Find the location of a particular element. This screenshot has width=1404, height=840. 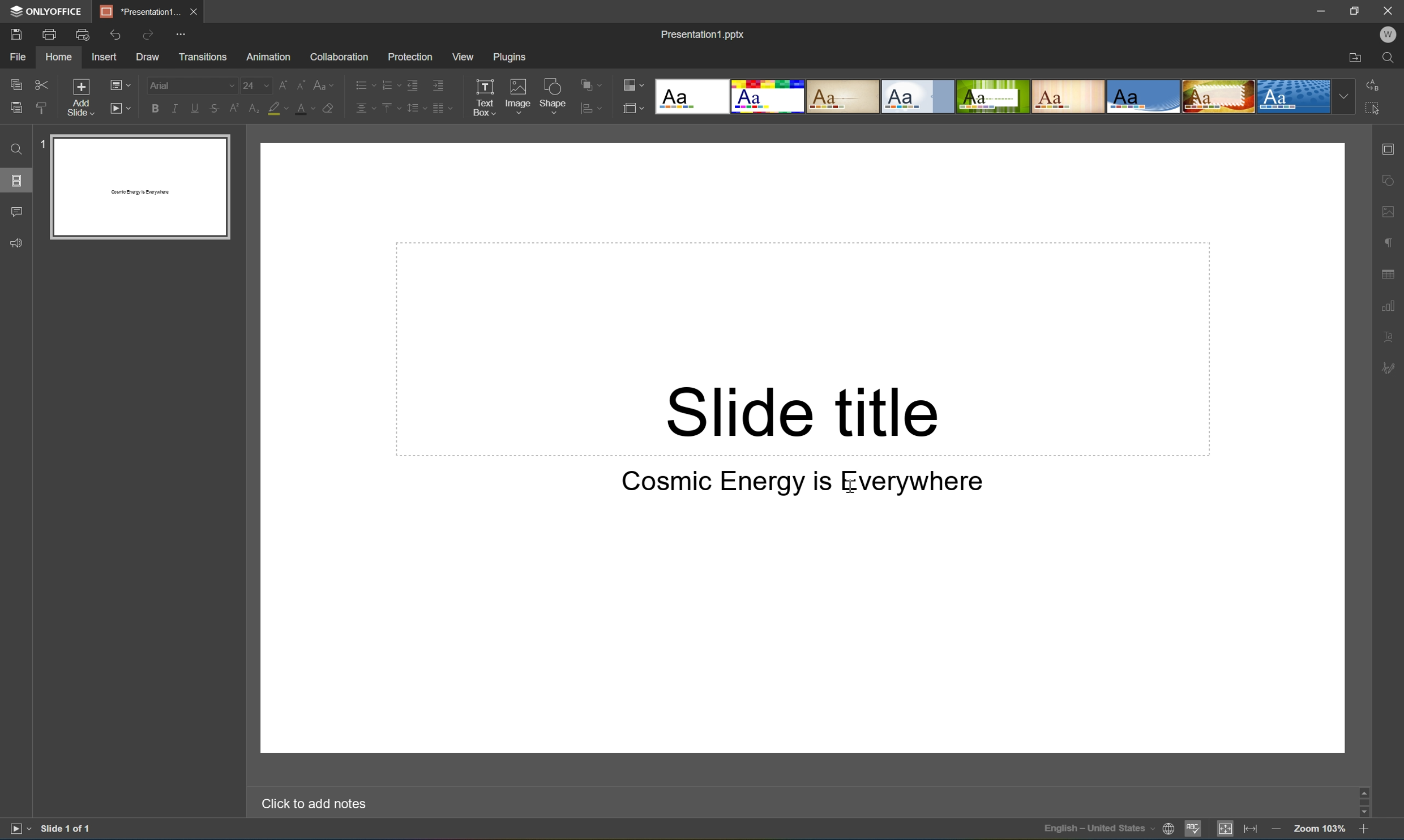

Open file location is located at coordinates (1355, 57).